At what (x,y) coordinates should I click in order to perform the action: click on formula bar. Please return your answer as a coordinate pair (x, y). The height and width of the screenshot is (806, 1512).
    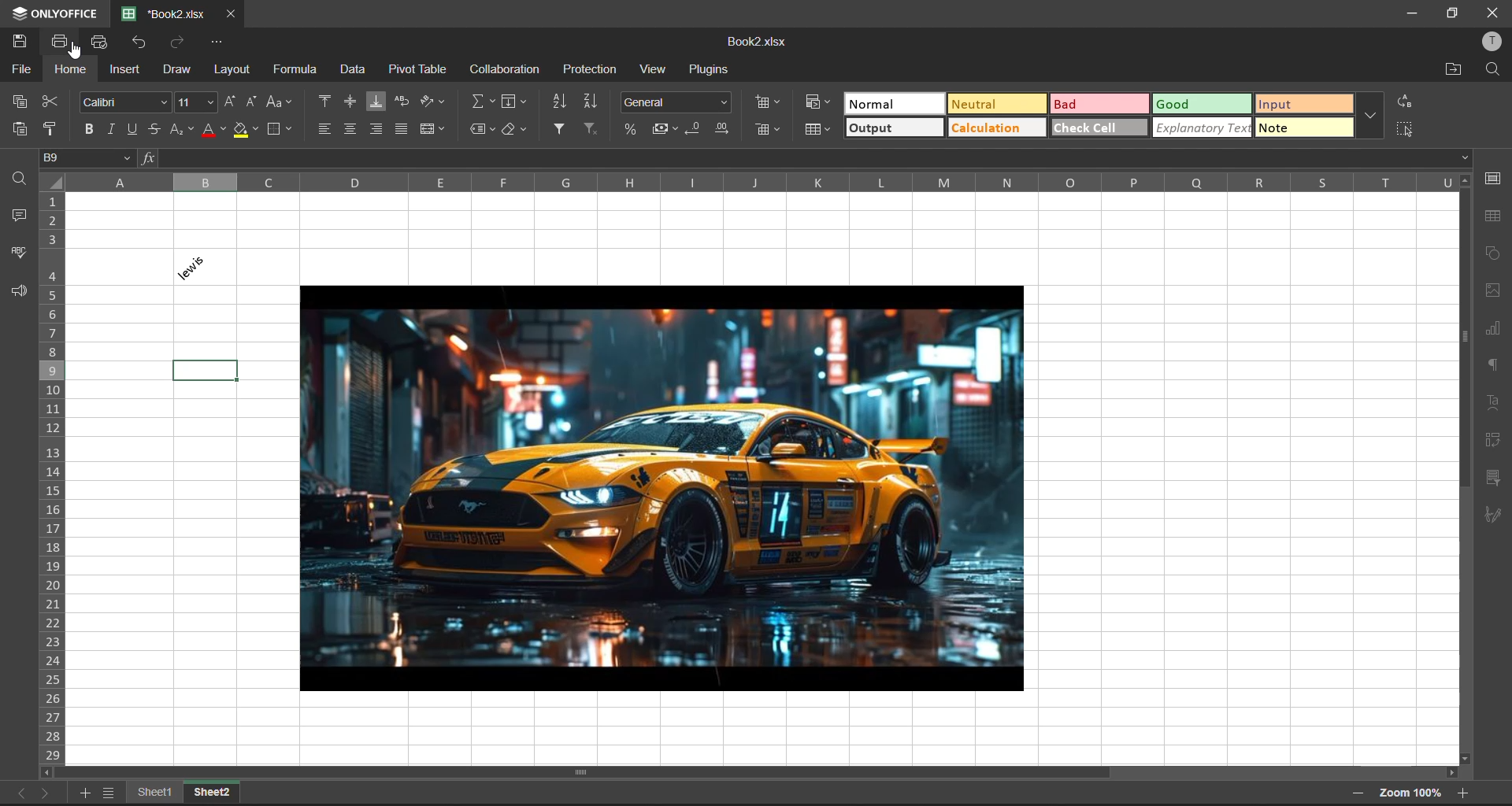
    Looking at the image, I should click on (804, 160).